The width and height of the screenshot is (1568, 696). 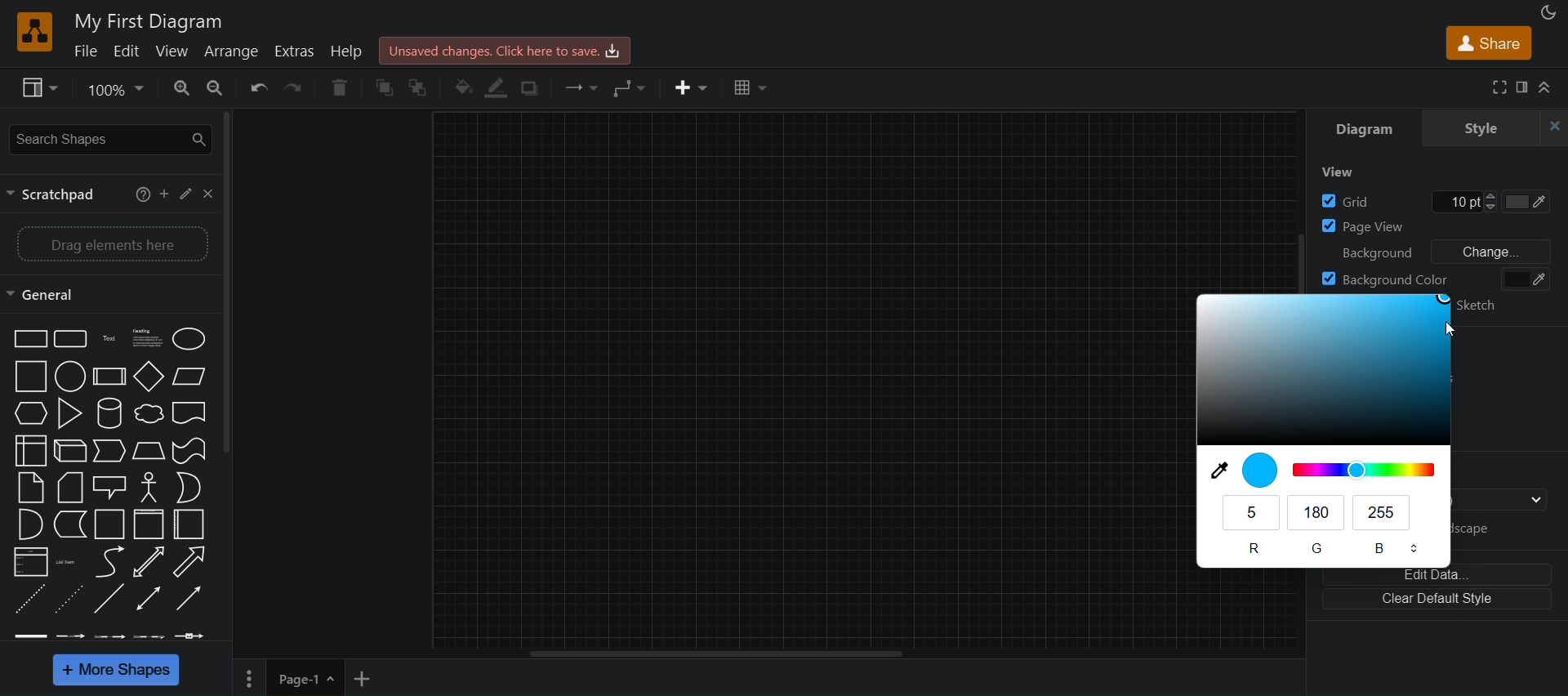 I want to click on title, so click(x=148, y=20).